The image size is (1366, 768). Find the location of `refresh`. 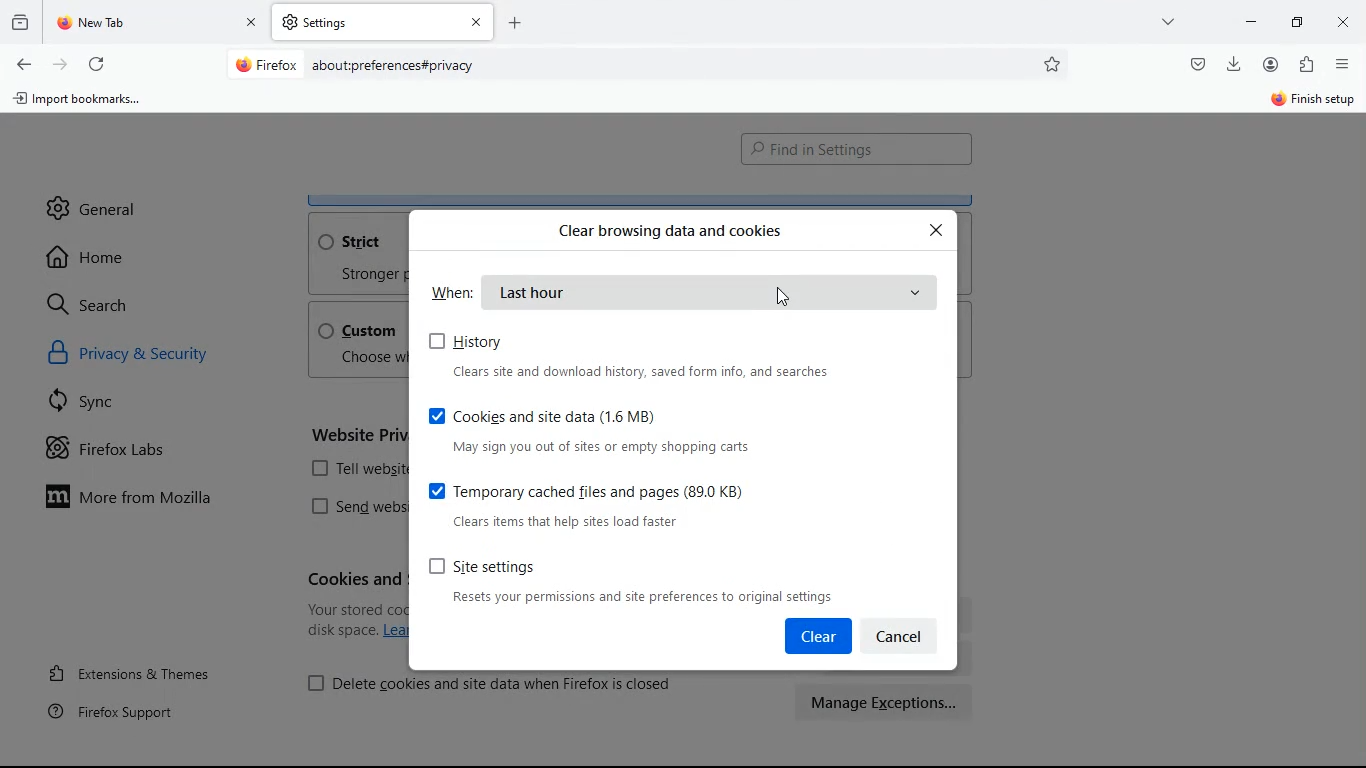

refresh is located at coordinates (96, 61).